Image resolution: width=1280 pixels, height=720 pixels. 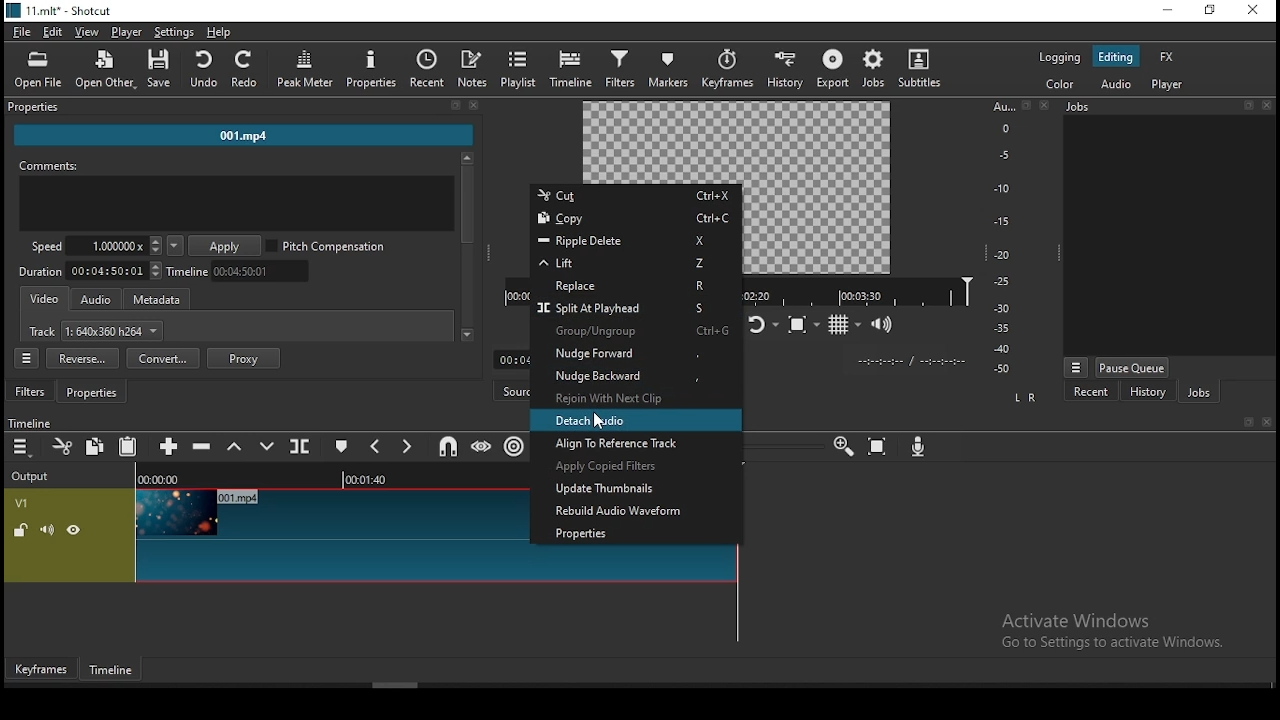 I want to click on previous marker, so click(x=380, y=447).